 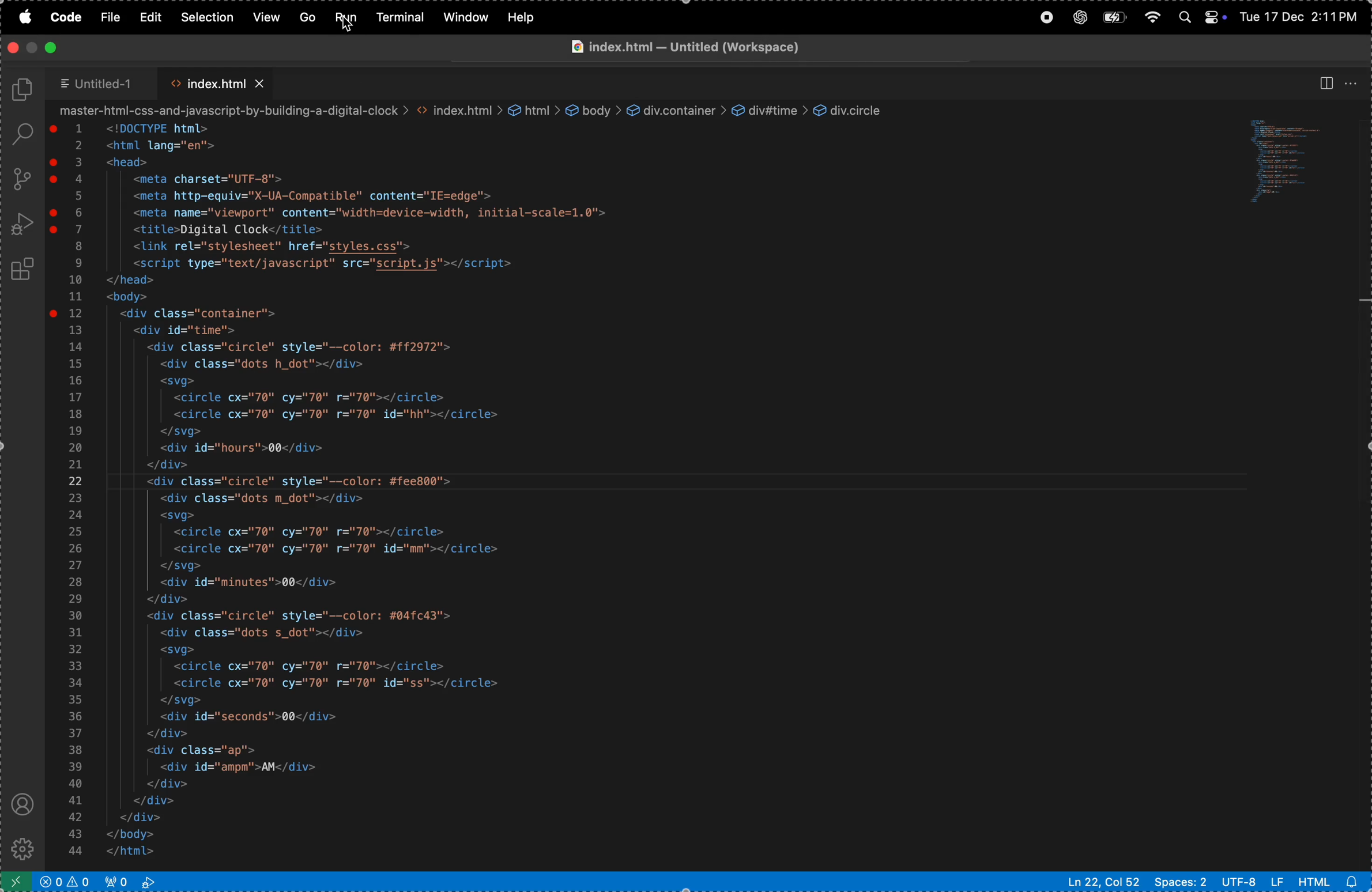 What do you see at coordinates (21, 805) in the screenshot?
I see `profile` at bounding box center [21, 805].